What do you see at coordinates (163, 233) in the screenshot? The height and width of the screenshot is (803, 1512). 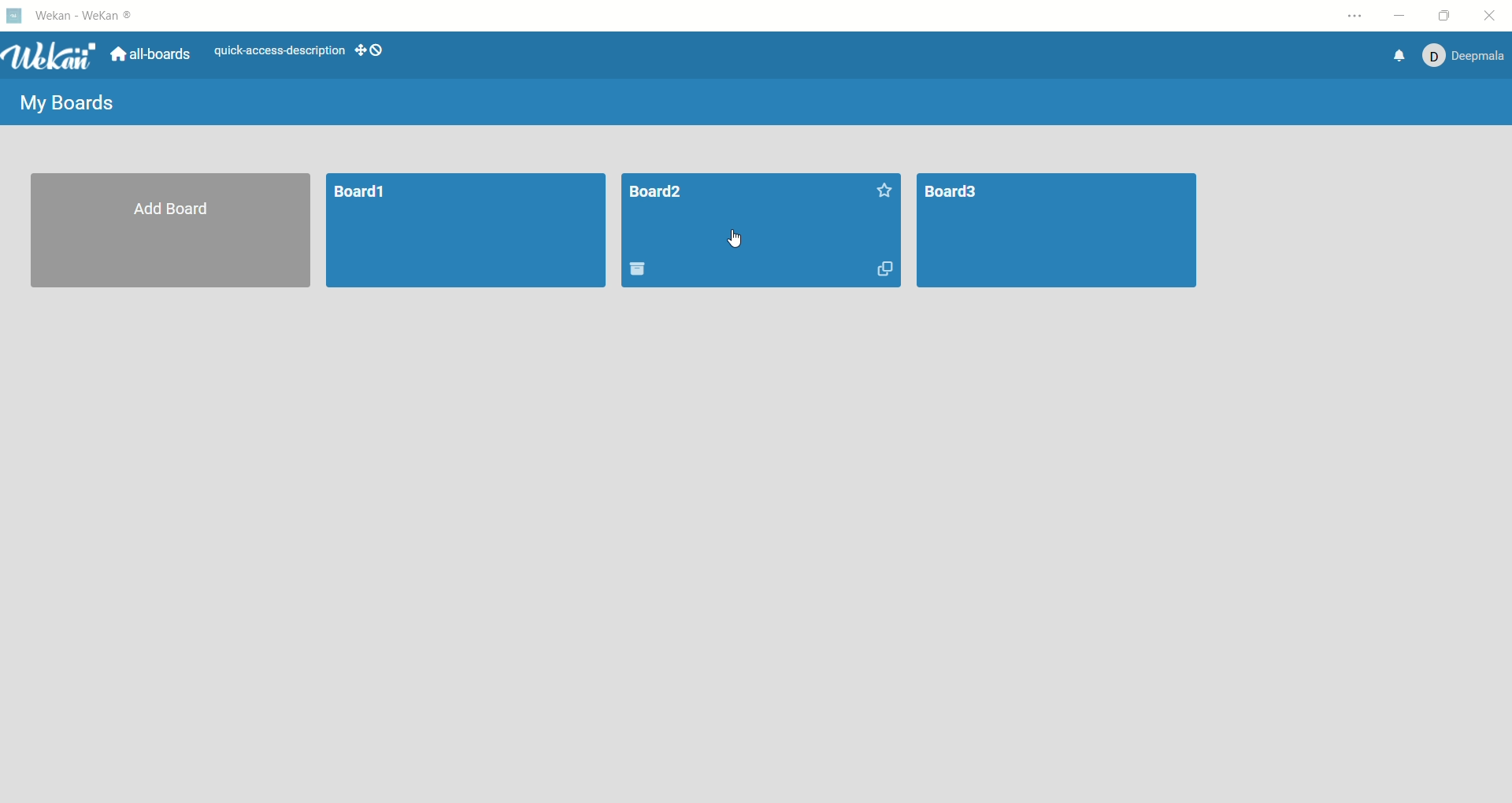 I see `add board` at bounding box center [163, 233].